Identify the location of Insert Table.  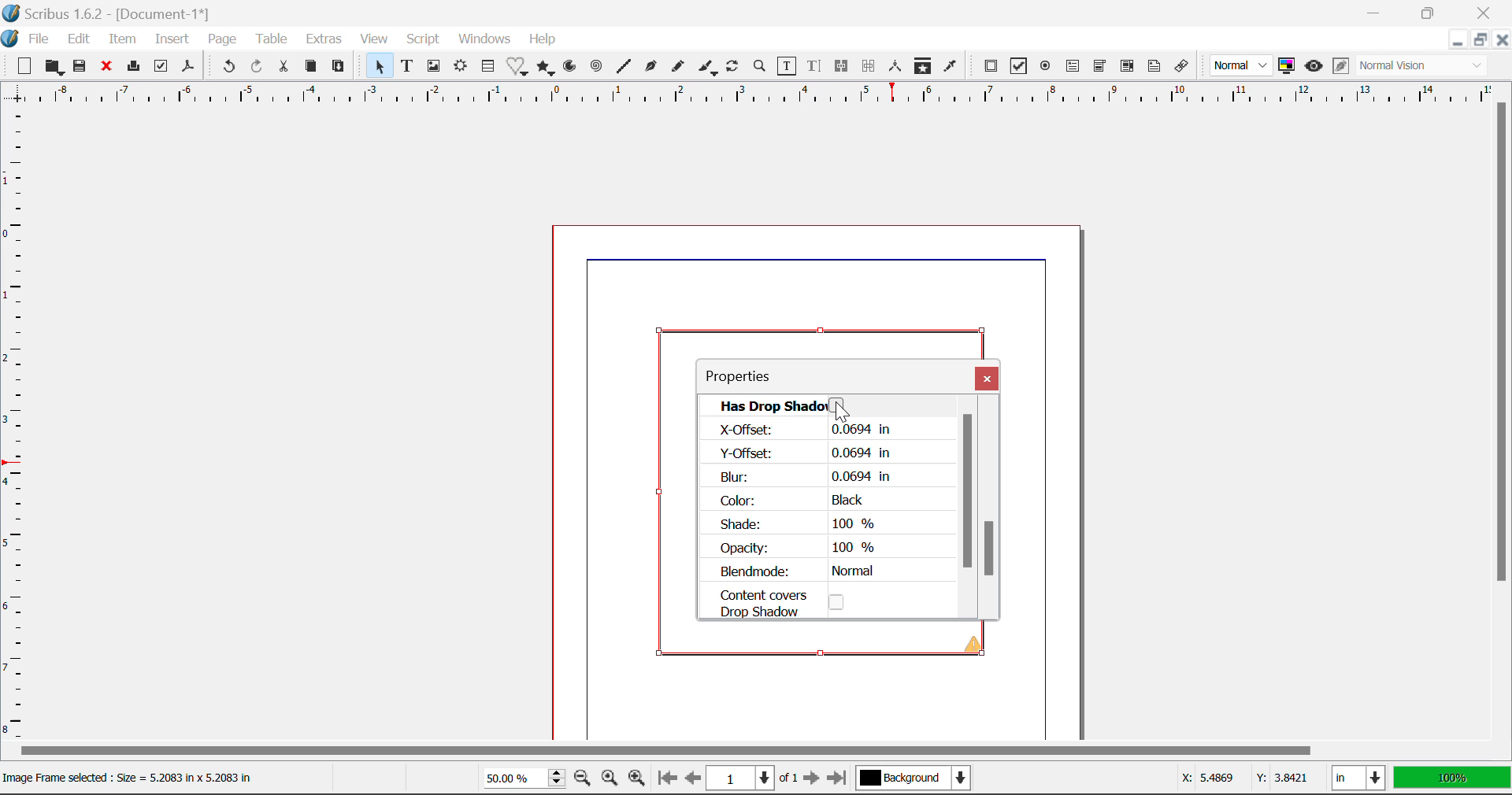
(491, 68).